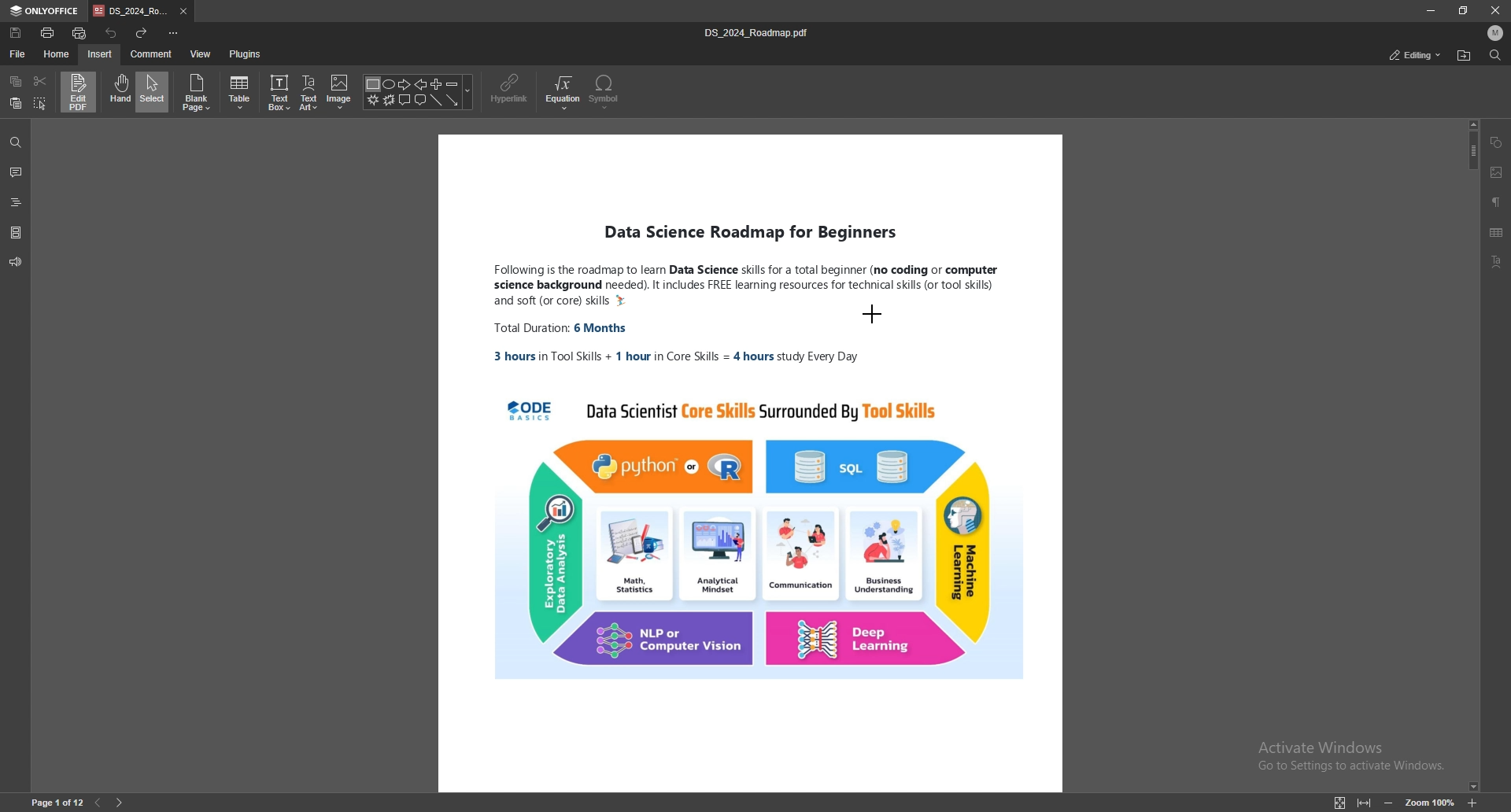  Describe the element at coordinates (760, 32) in the screenshot. I see `file name` at that location.